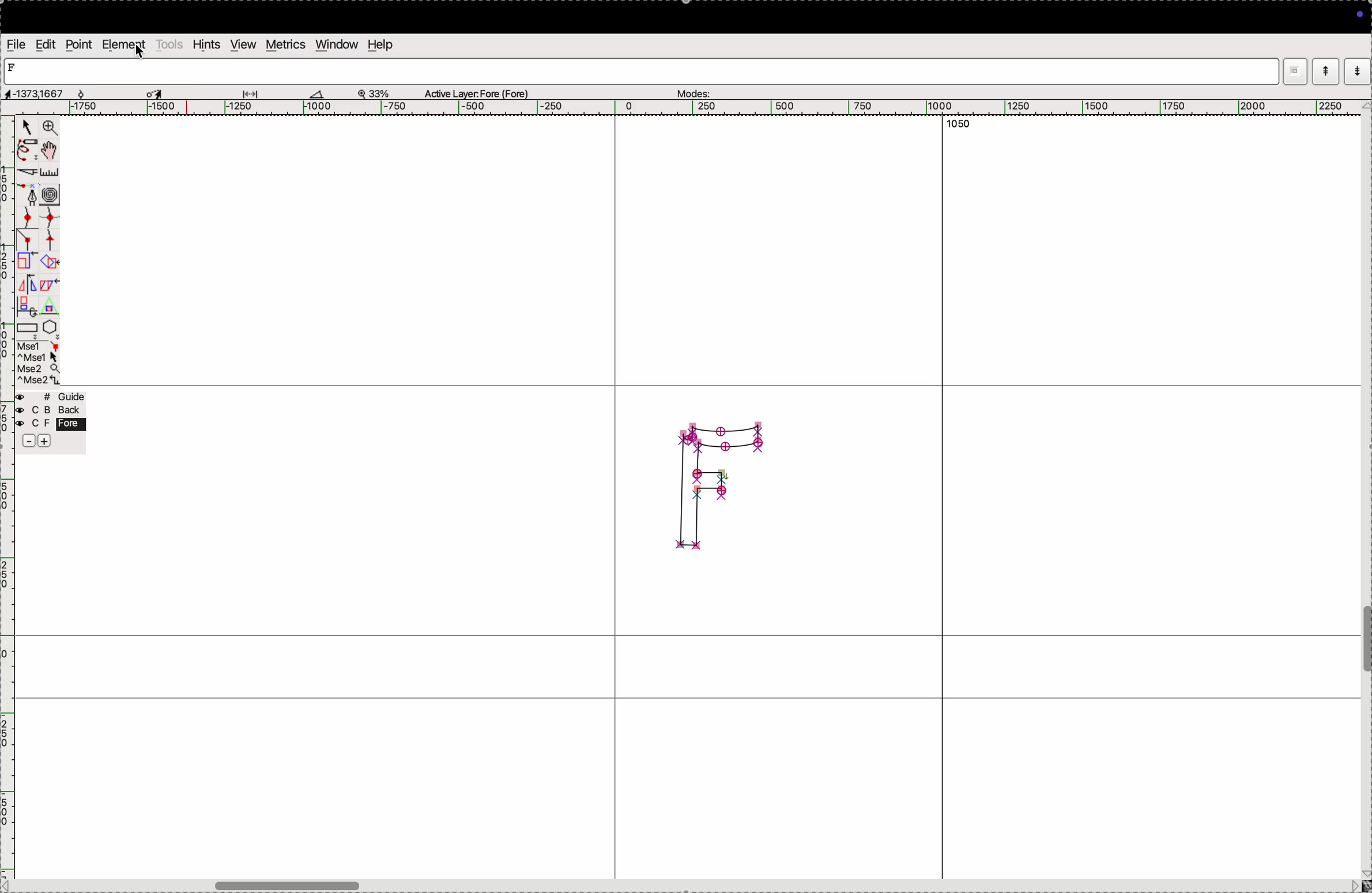 Image resolution: width=1372 pixels, height=893 pixels. Describe the element at coordinates (17, 44) in the screenshot. I see `file` at that location.